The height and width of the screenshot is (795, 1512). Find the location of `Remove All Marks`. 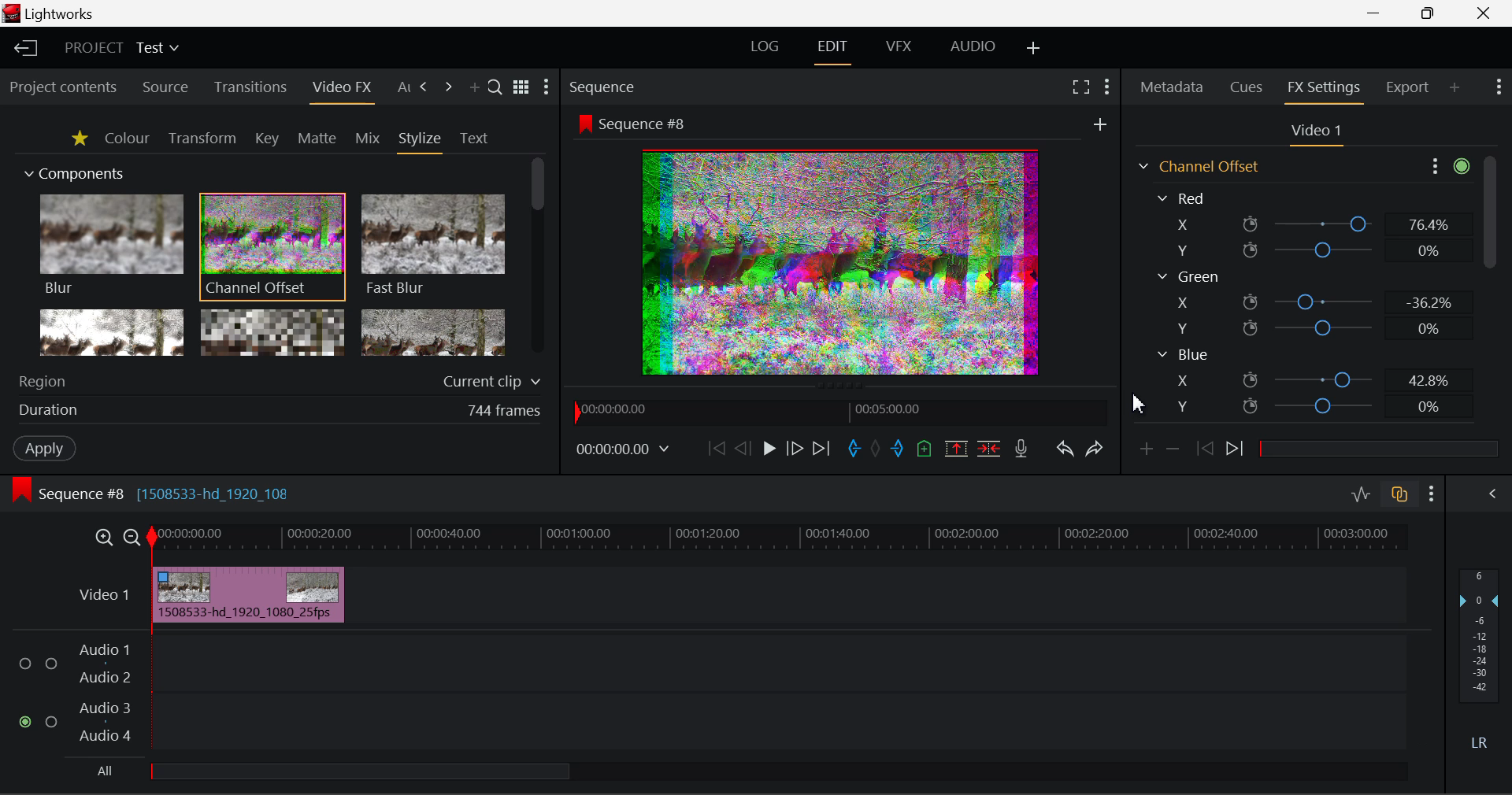

Remove All Marks is located at coordinates (875, 449).